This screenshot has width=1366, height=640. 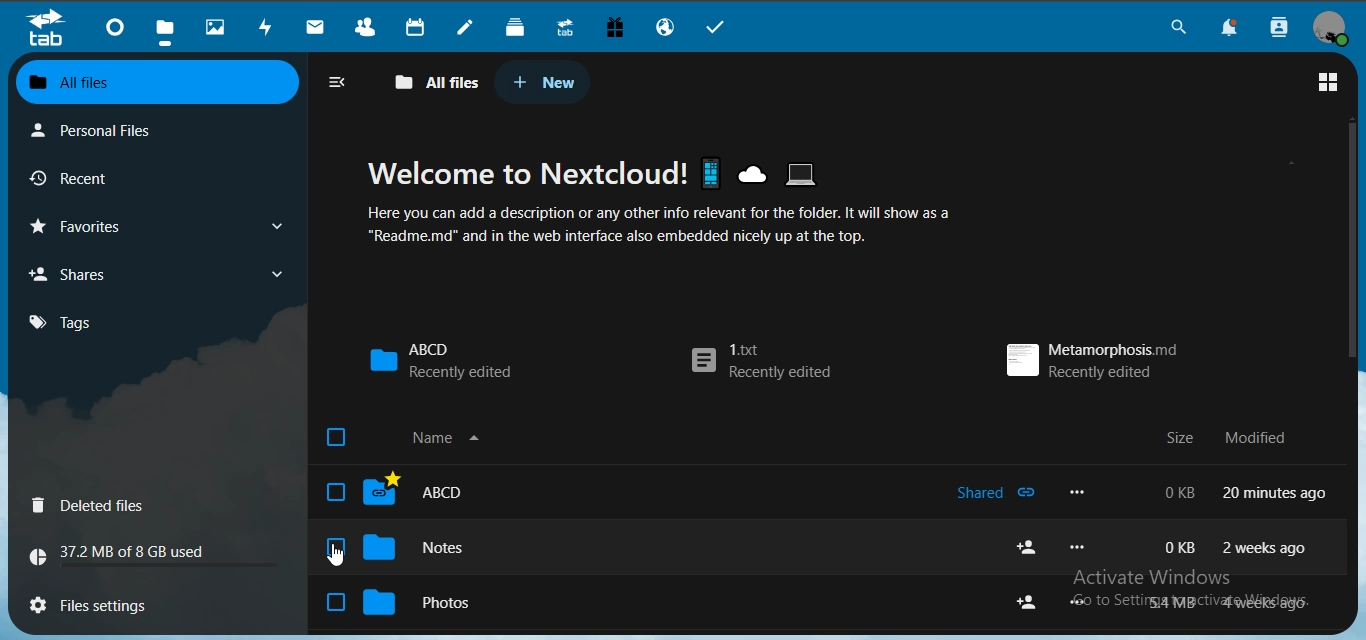 I want to click on view profile, so click(x=1334, y=27).